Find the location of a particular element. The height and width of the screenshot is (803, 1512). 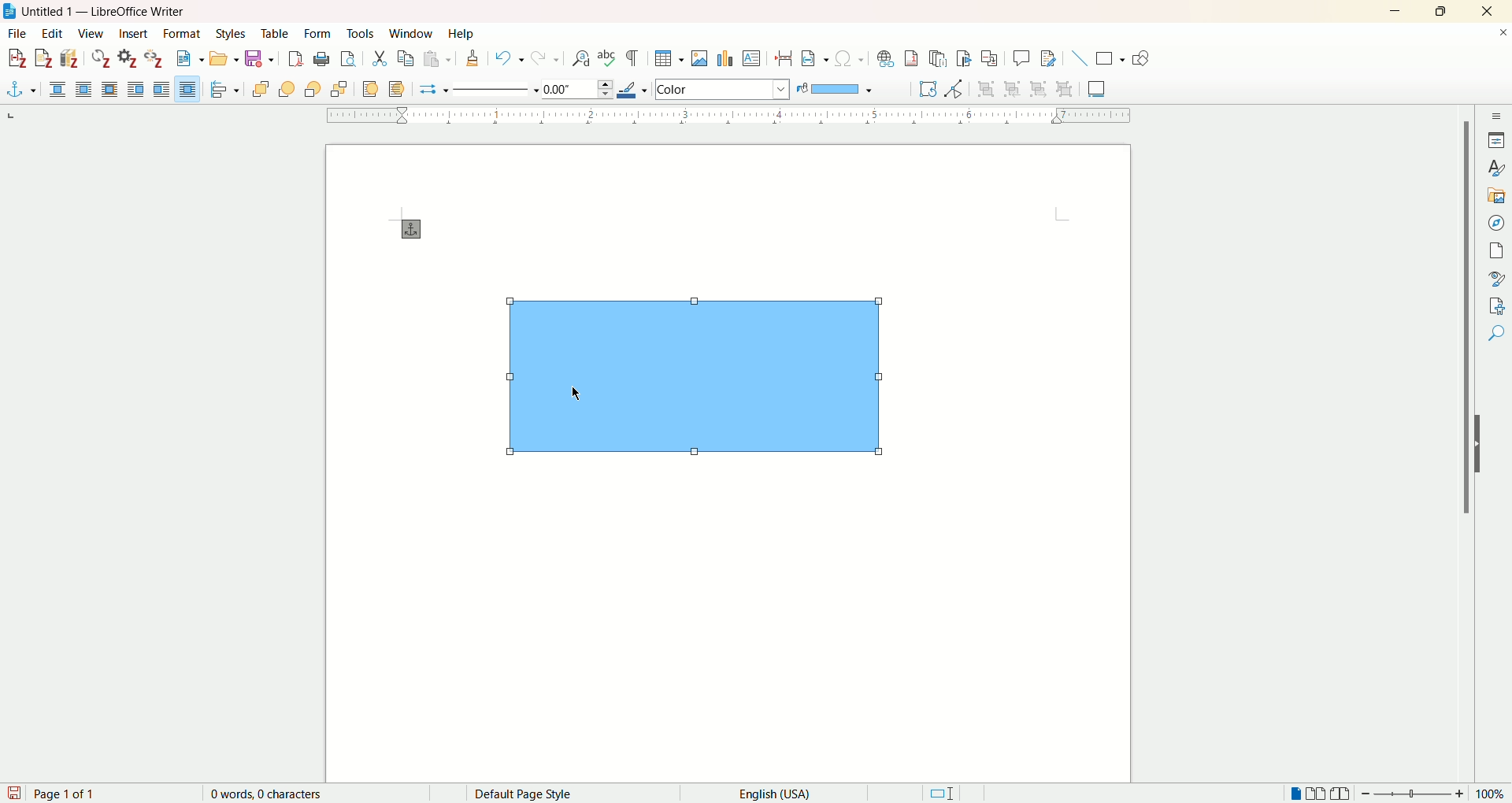

find and replace is located at coordinates (585, 58).